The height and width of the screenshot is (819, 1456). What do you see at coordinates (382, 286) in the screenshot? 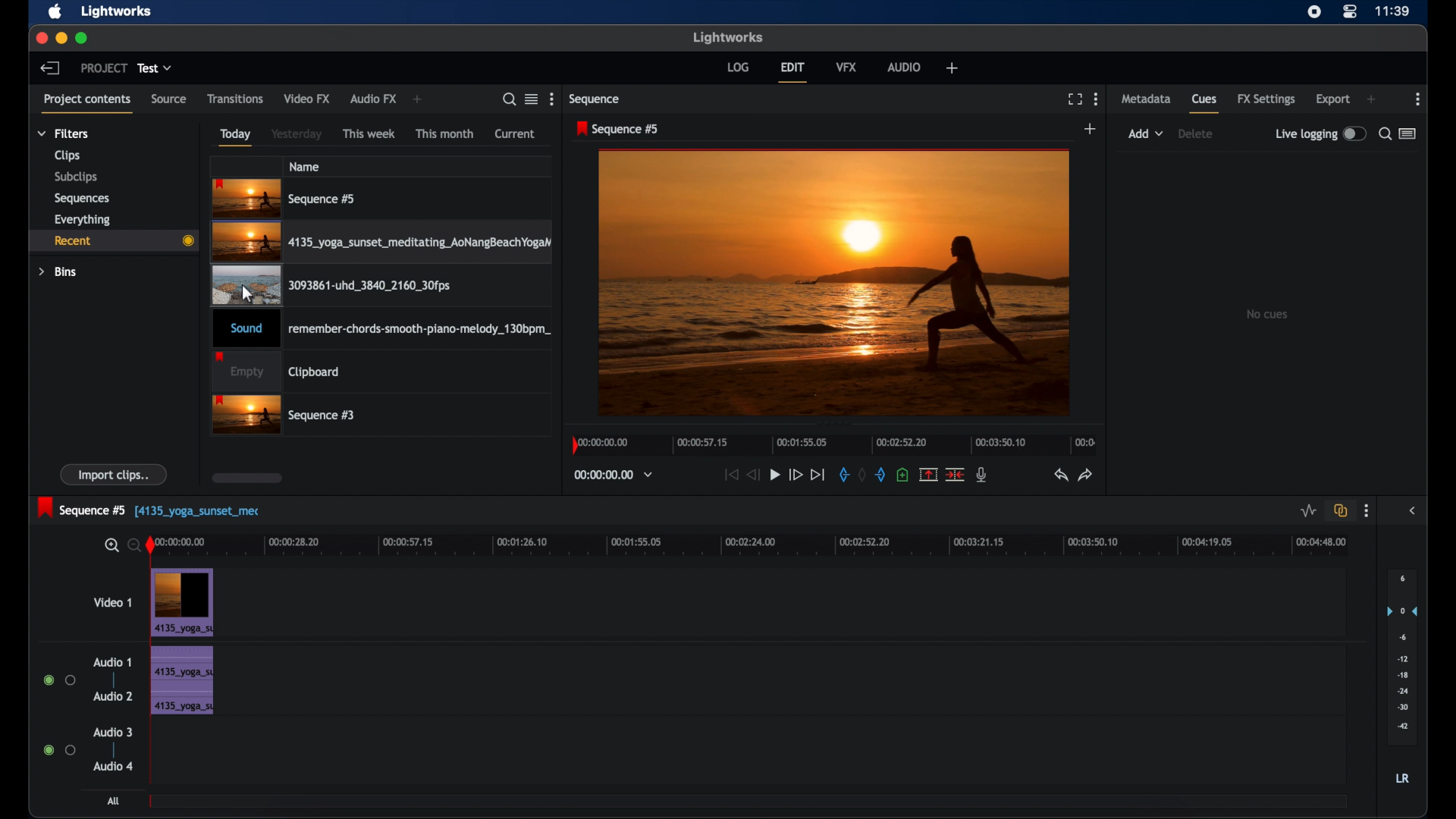
I see `videoclip` at bounding box center [382, 286].